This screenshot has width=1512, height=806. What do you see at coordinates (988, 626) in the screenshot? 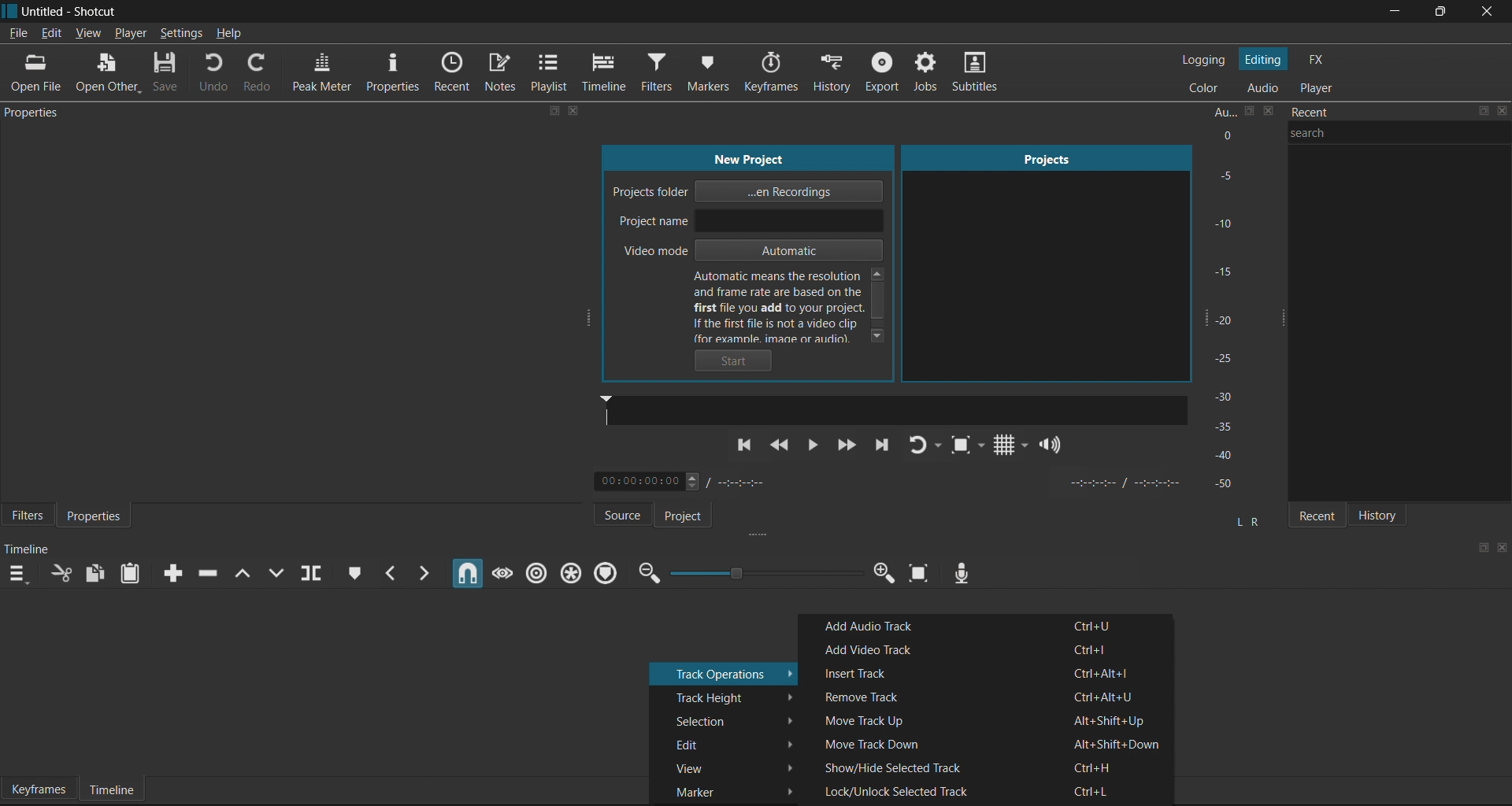
I see `Add Audio Track` at bounding box center [988, 626].